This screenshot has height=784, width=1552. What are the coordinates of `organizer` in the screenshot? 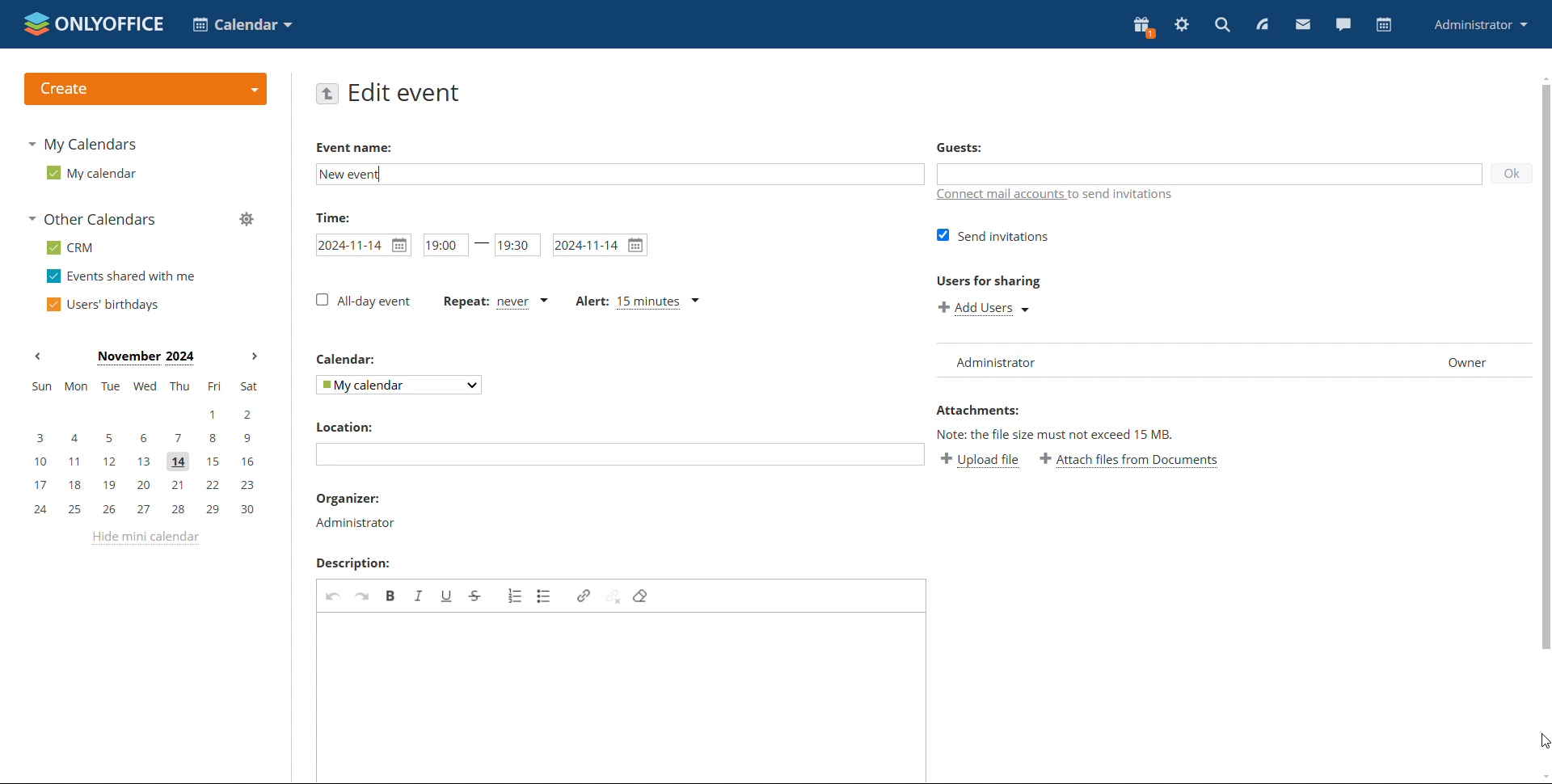 It's located at (357, 499).